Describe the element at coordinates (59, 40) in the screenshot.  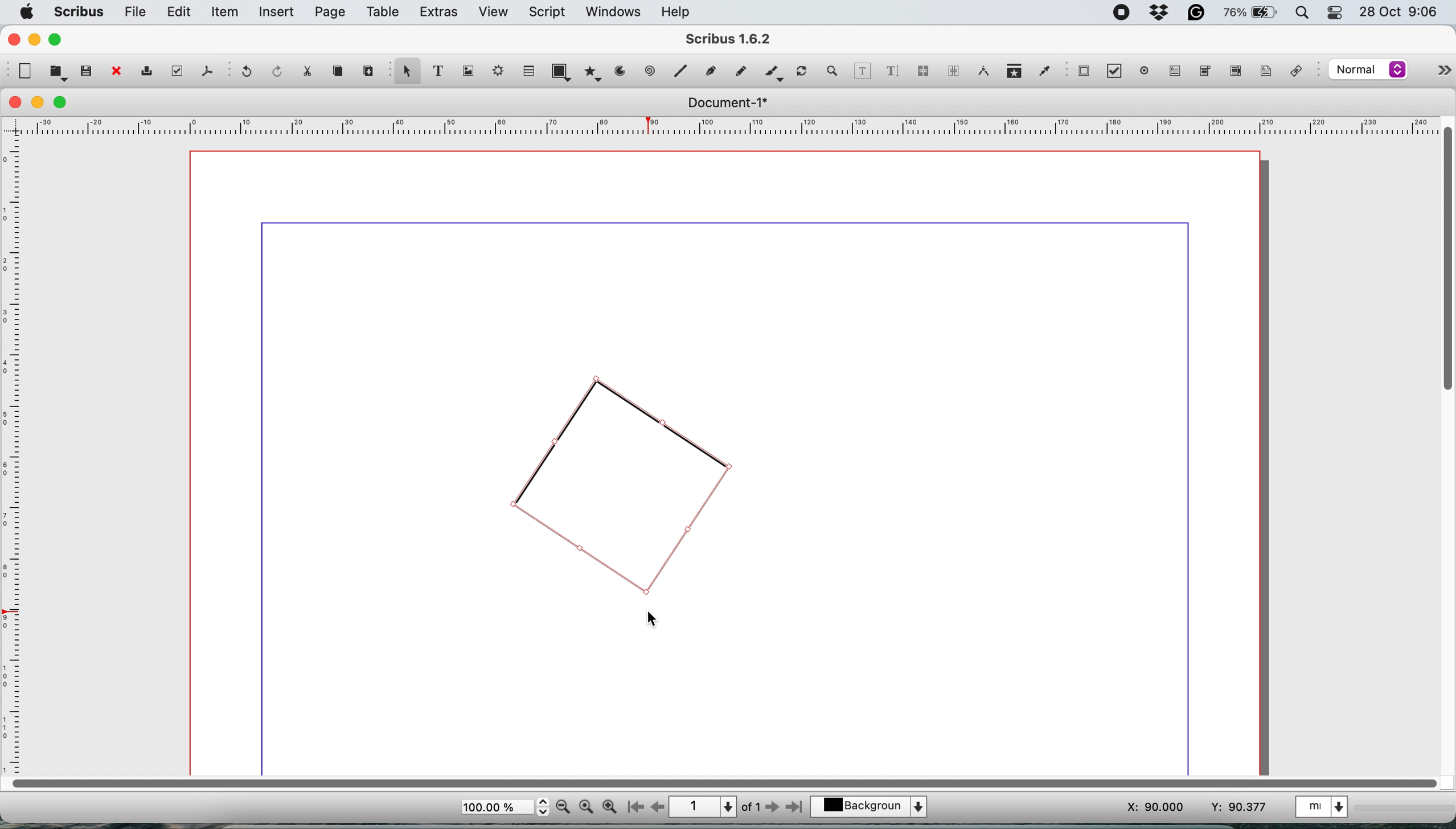
I see `maximise` at that location.